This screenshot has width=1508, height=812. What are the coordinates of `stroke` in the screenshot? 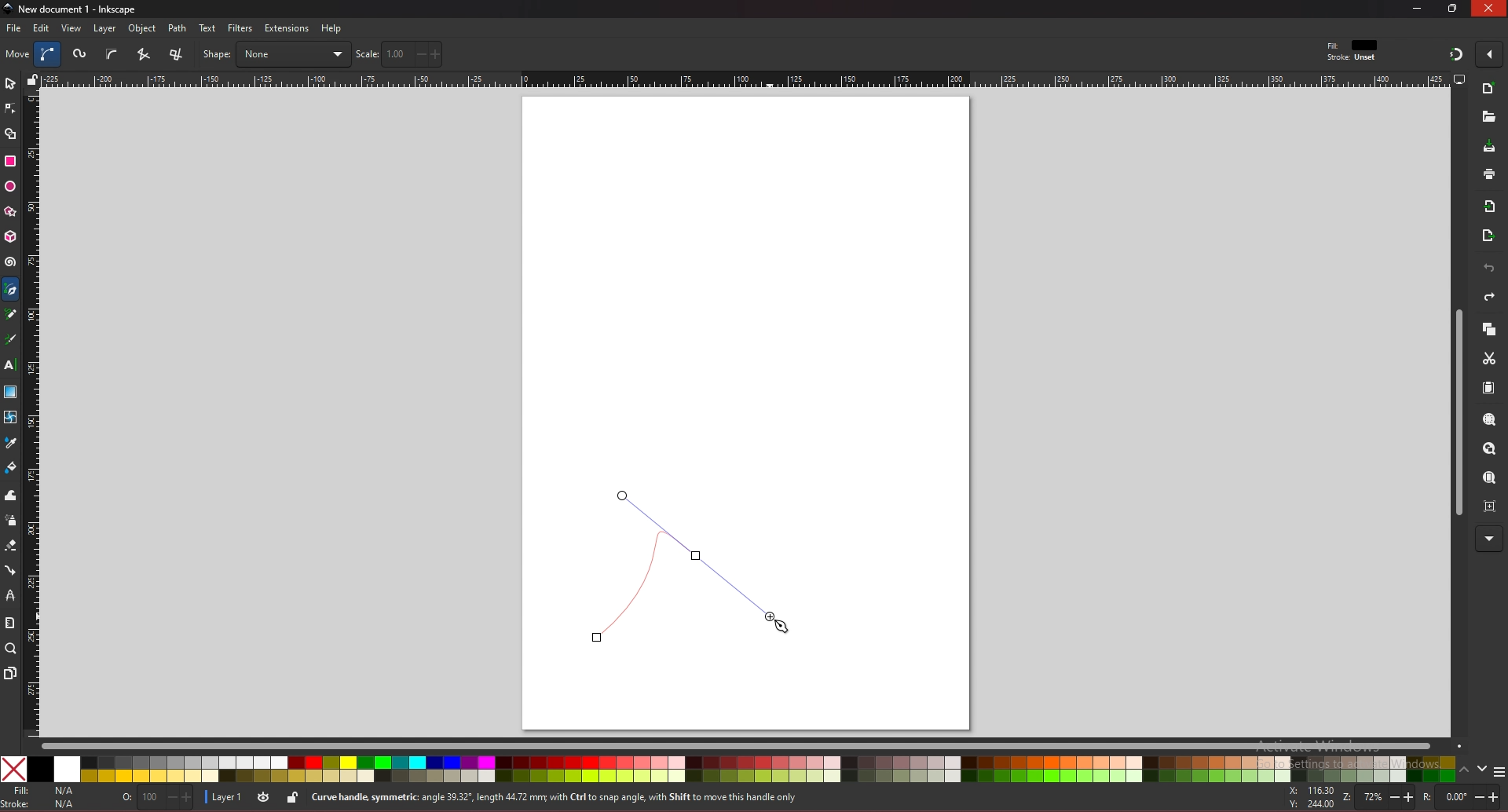 It's located at (1352, 58).